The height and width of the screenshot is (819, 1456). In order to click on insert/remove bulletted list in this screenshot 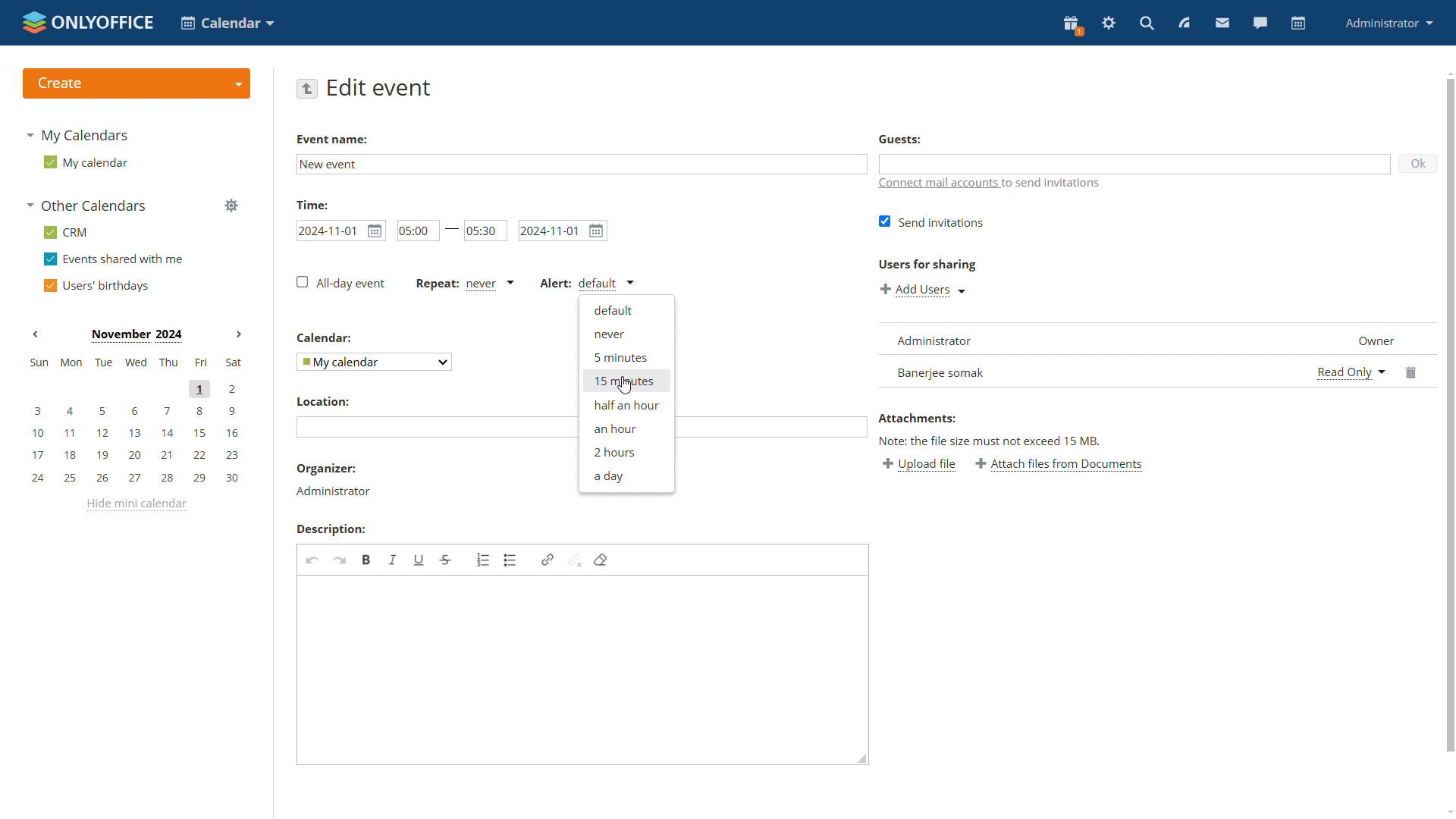, I will do `click(512, 560)`.